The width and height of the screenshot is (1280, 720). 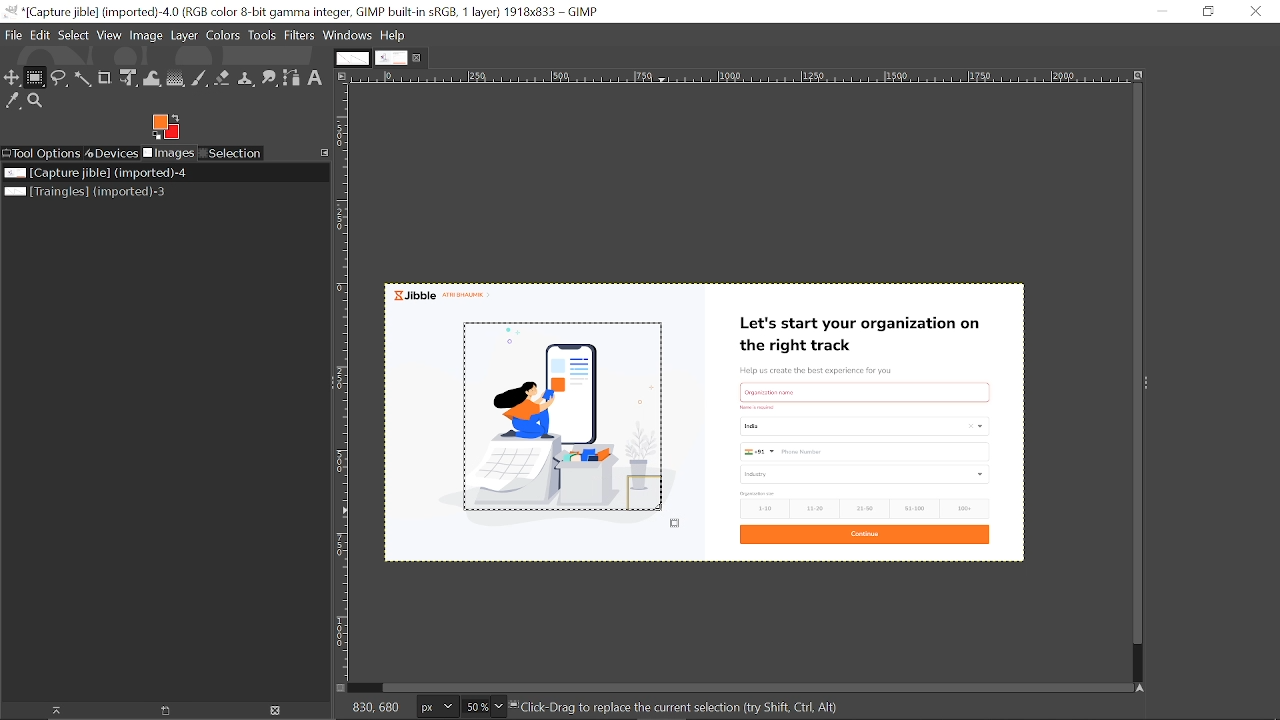 I want to click on Free select tool, so click(x=58, y=79).